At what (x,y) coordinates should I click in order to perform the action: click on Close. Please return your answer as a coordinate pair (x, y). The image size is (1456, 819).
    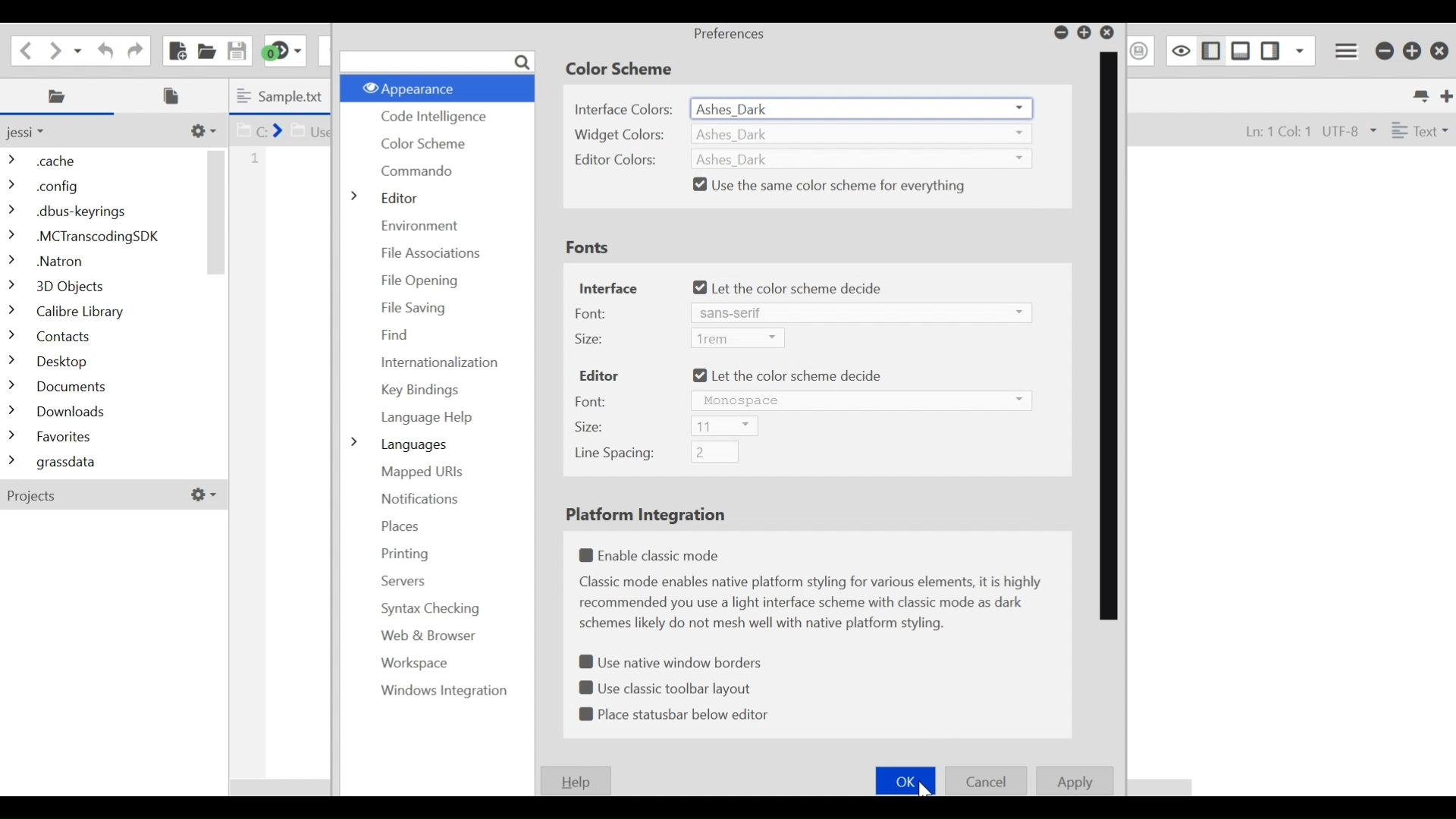
    Looking at the image, I should click on (1439, 52).